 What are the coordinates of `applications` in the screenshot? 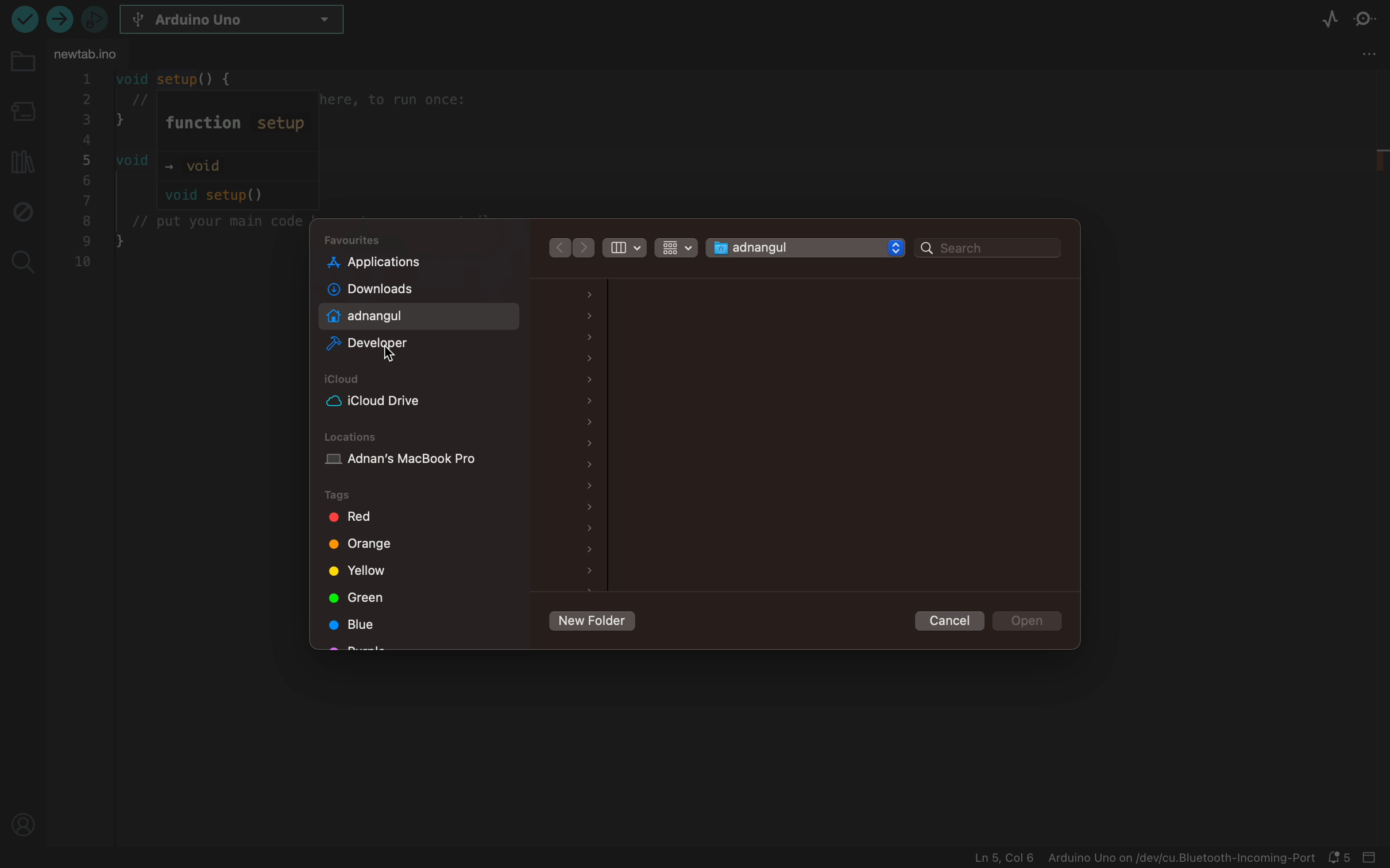 It's located at (400, 262).